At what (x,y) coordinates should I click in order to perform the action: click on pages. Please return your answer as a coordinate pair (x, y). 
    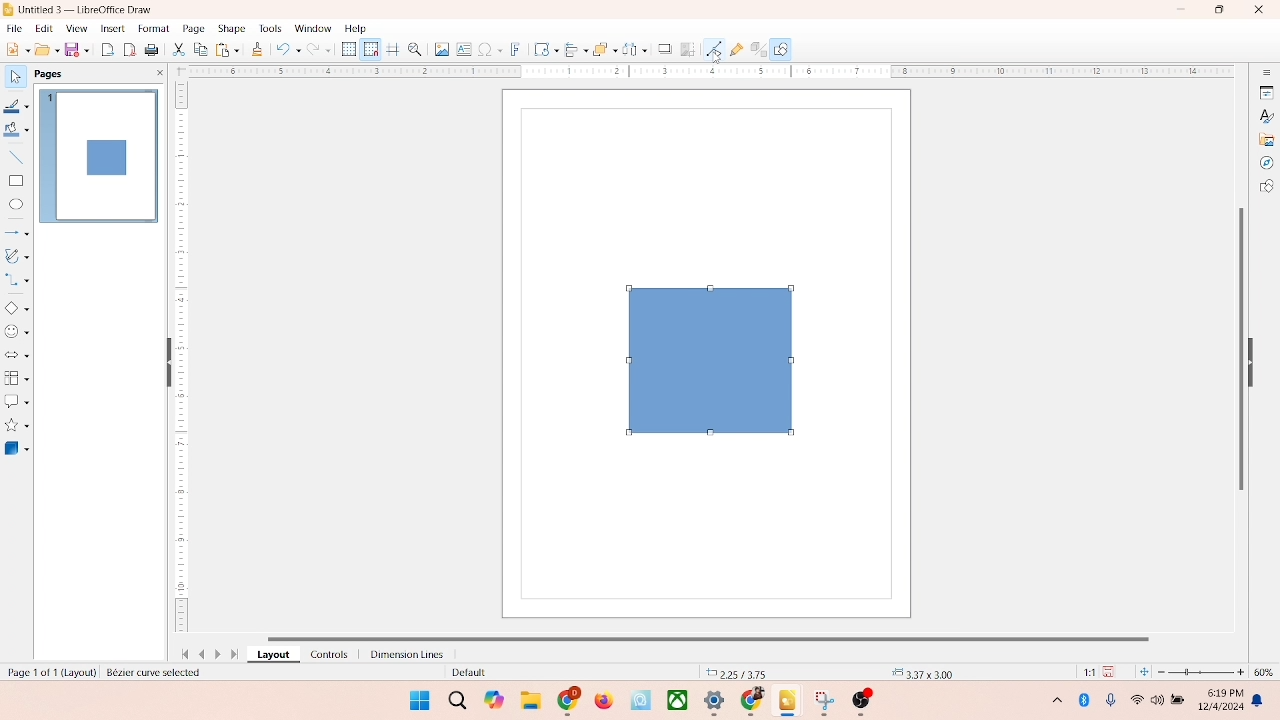
    Looking at the image, I should click on (47, 72).